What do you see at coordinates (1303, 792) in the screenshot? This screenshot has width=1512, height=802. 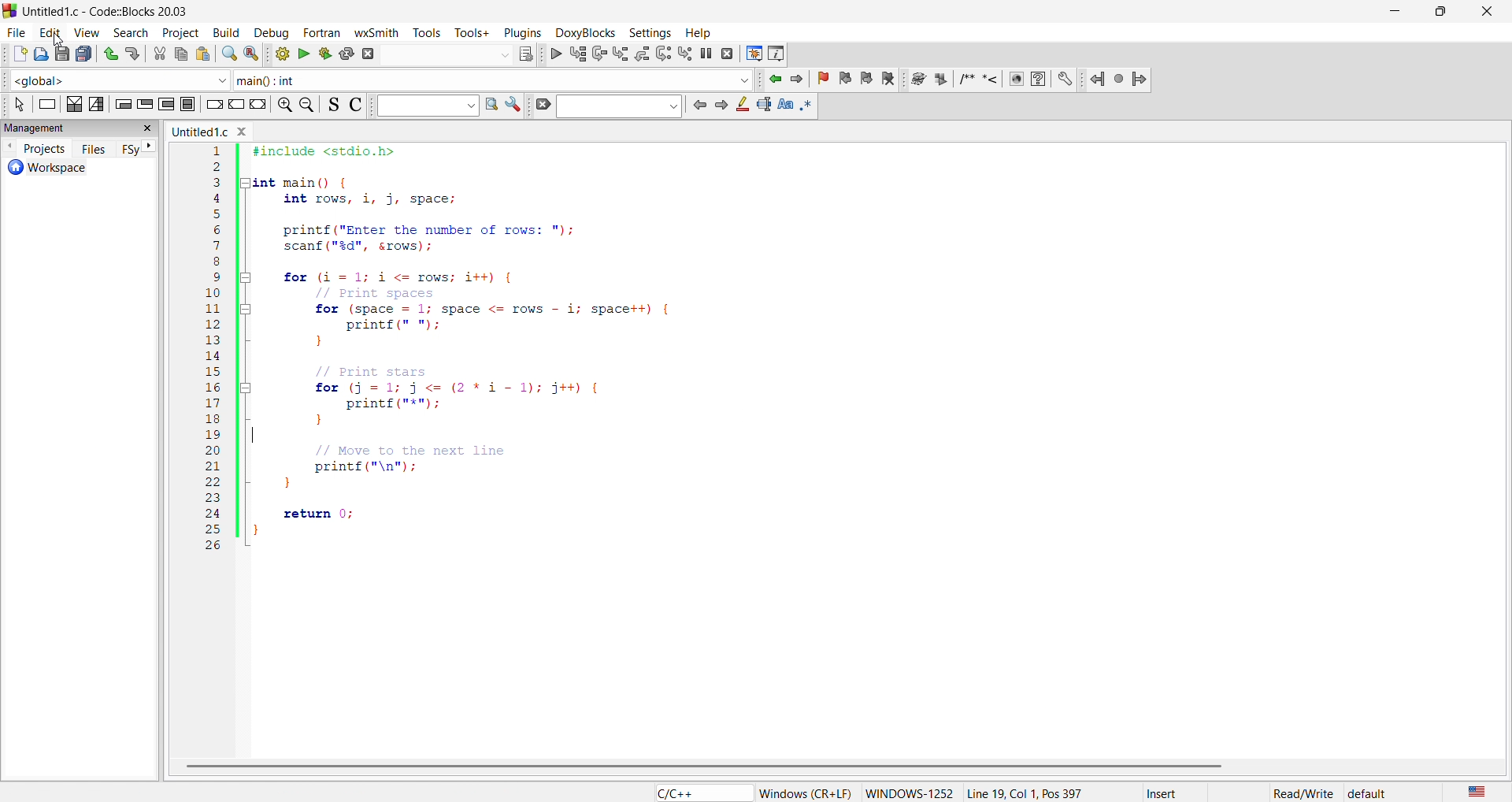 I see `Read/Write` at bounding box center [1303, 792].